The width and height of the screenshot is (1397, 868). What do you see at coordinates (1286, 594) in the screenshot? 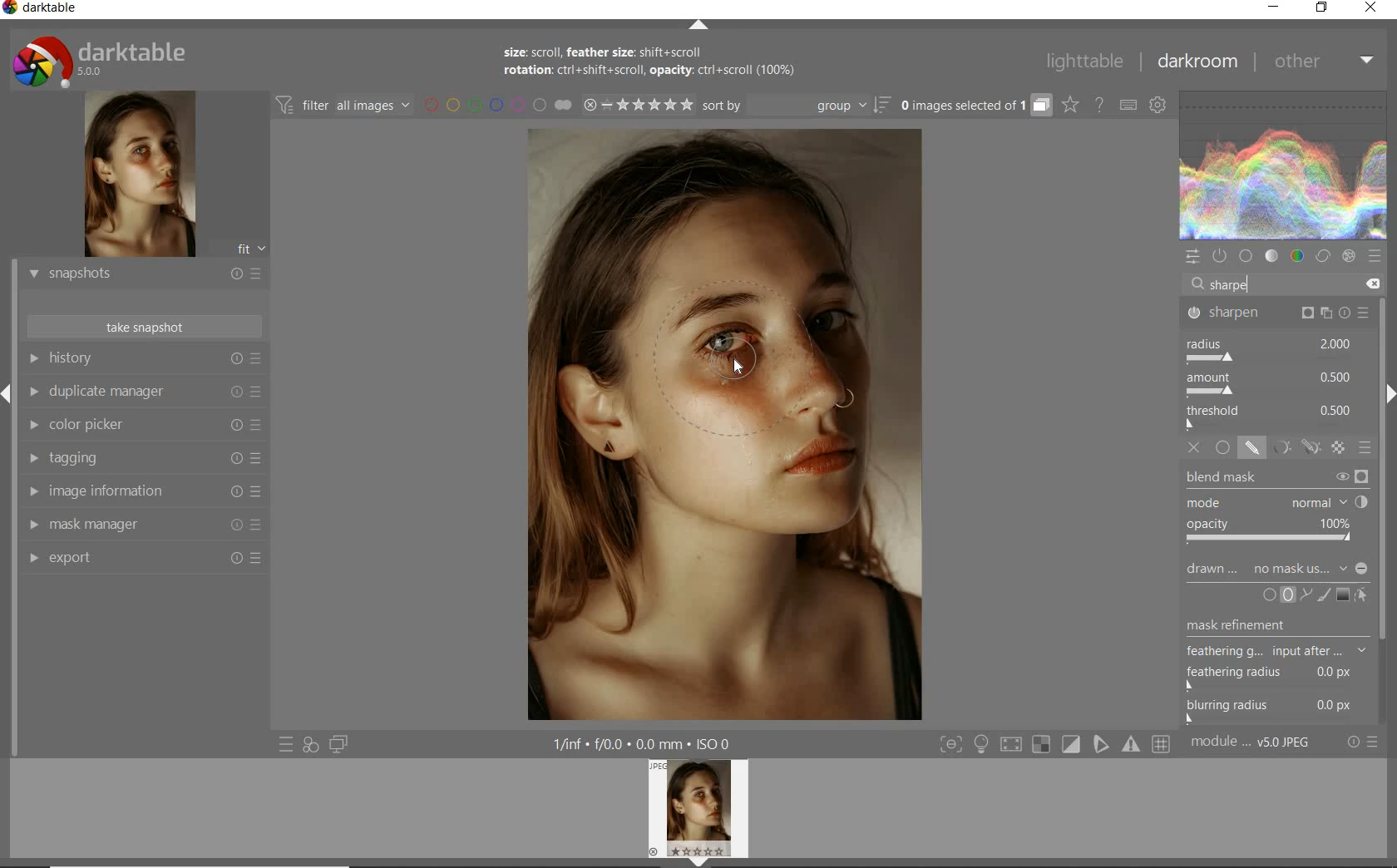
I see `ADD CIRCLE, ELLIPSE, OR ADD PATH` at bounding box center [1286, 594].